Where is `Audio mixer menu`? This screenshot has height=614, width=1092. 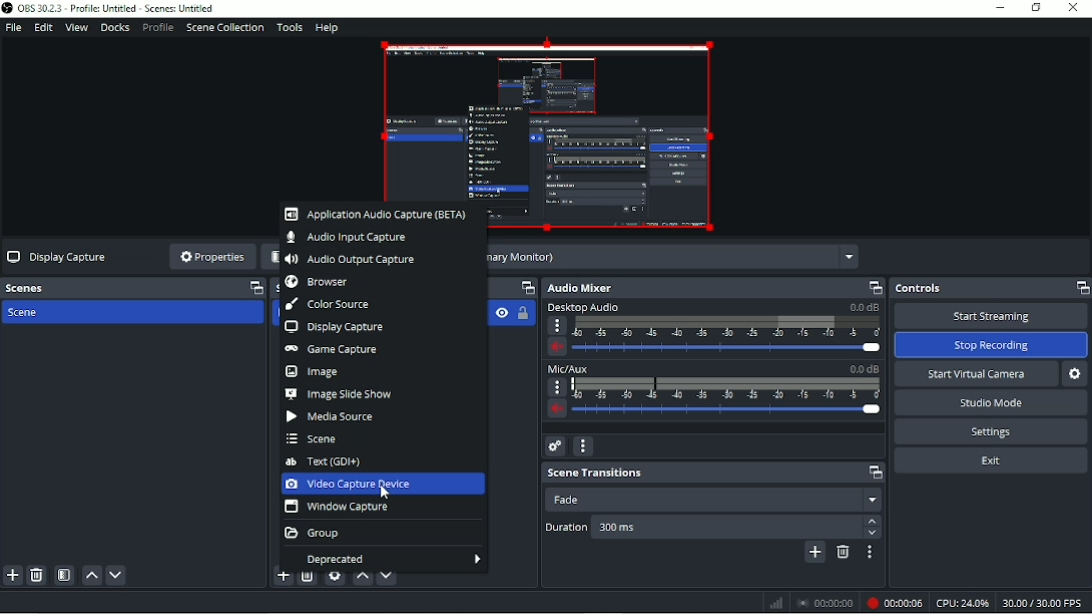 Audio mixer menu is located at coordinates (583, 447).